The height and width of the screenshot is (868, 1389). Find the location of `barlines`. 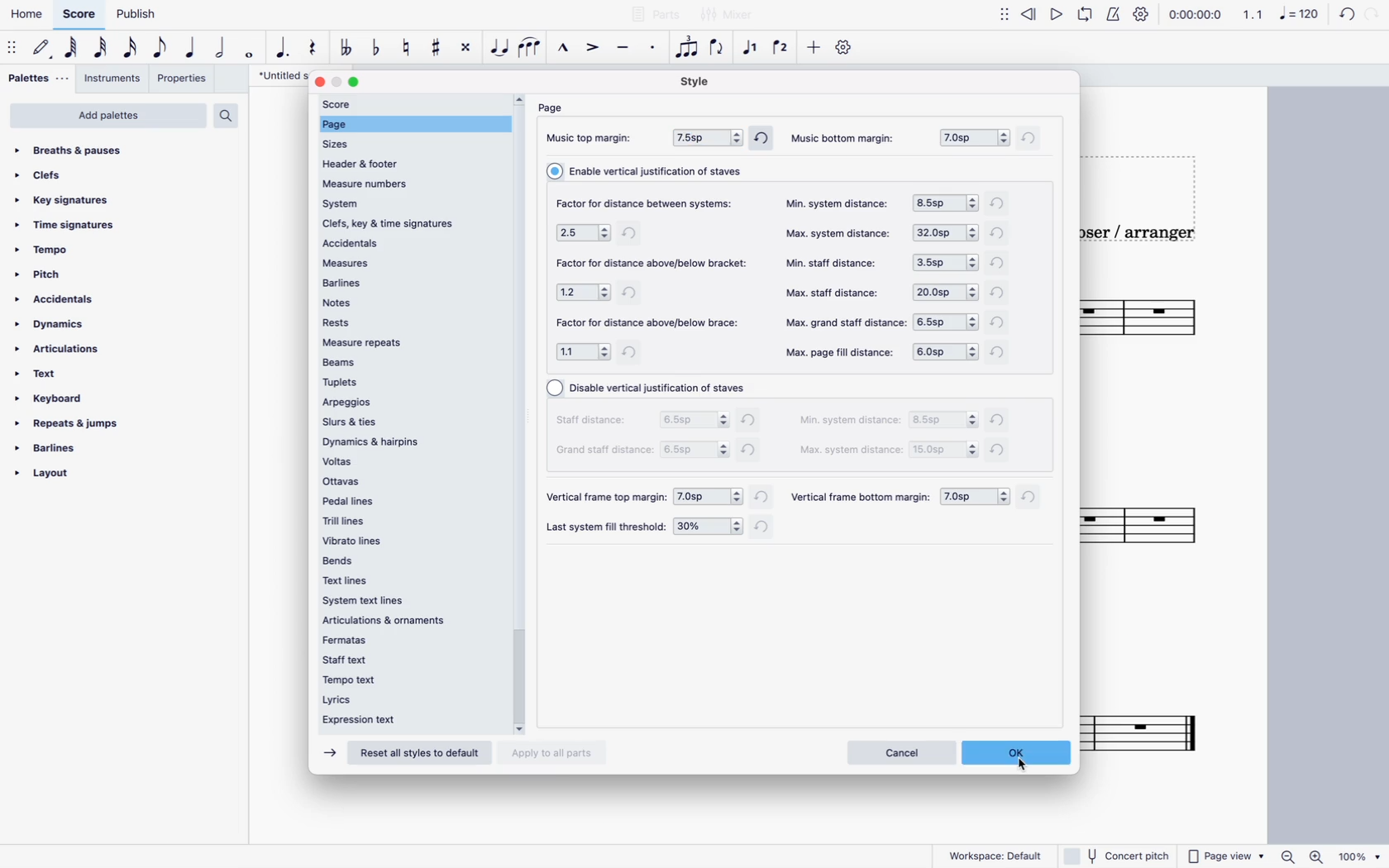

barlines is located at coordinates (49, 448).